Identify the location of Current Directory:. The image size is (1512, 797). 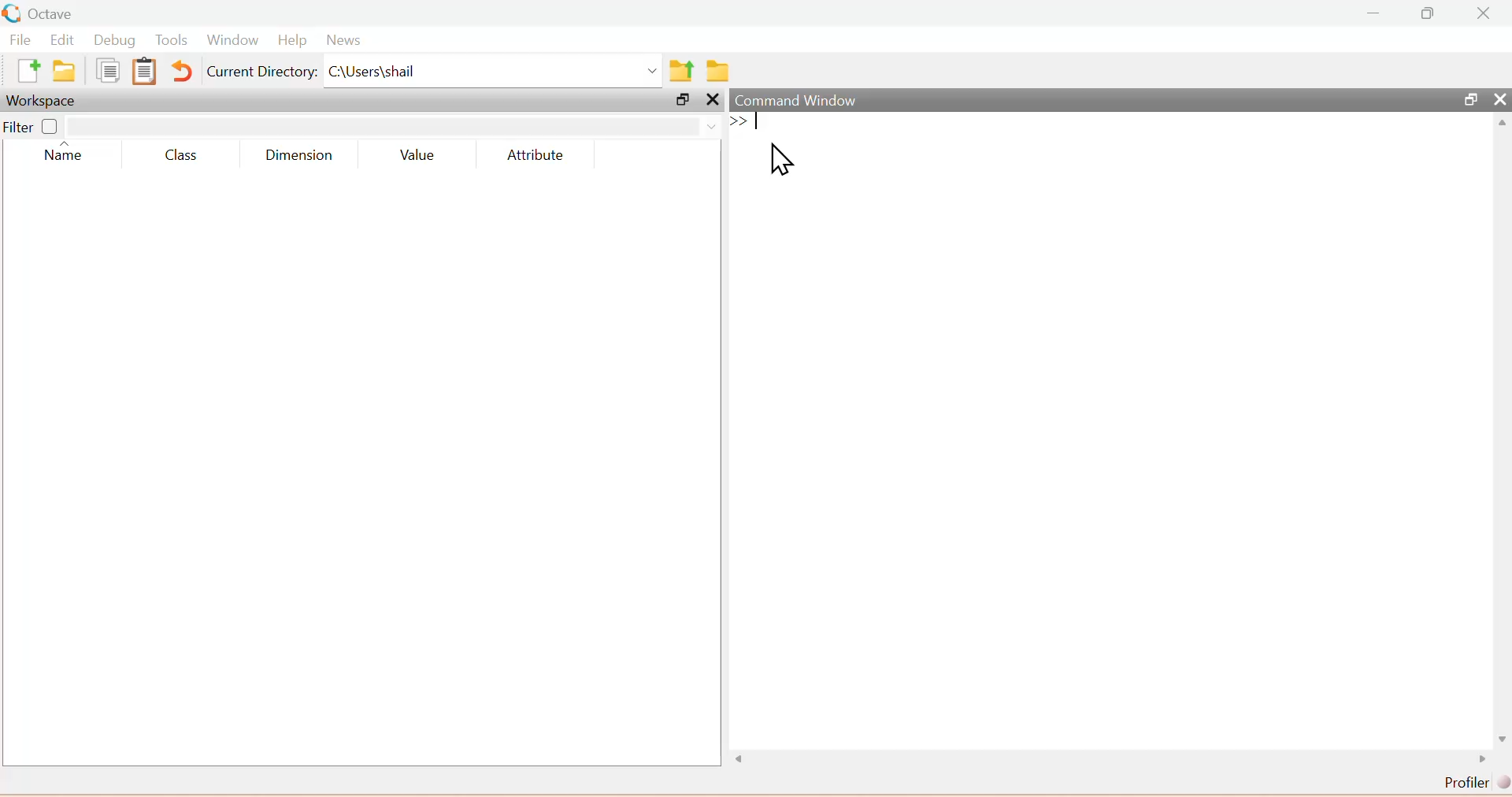
(262, 74).